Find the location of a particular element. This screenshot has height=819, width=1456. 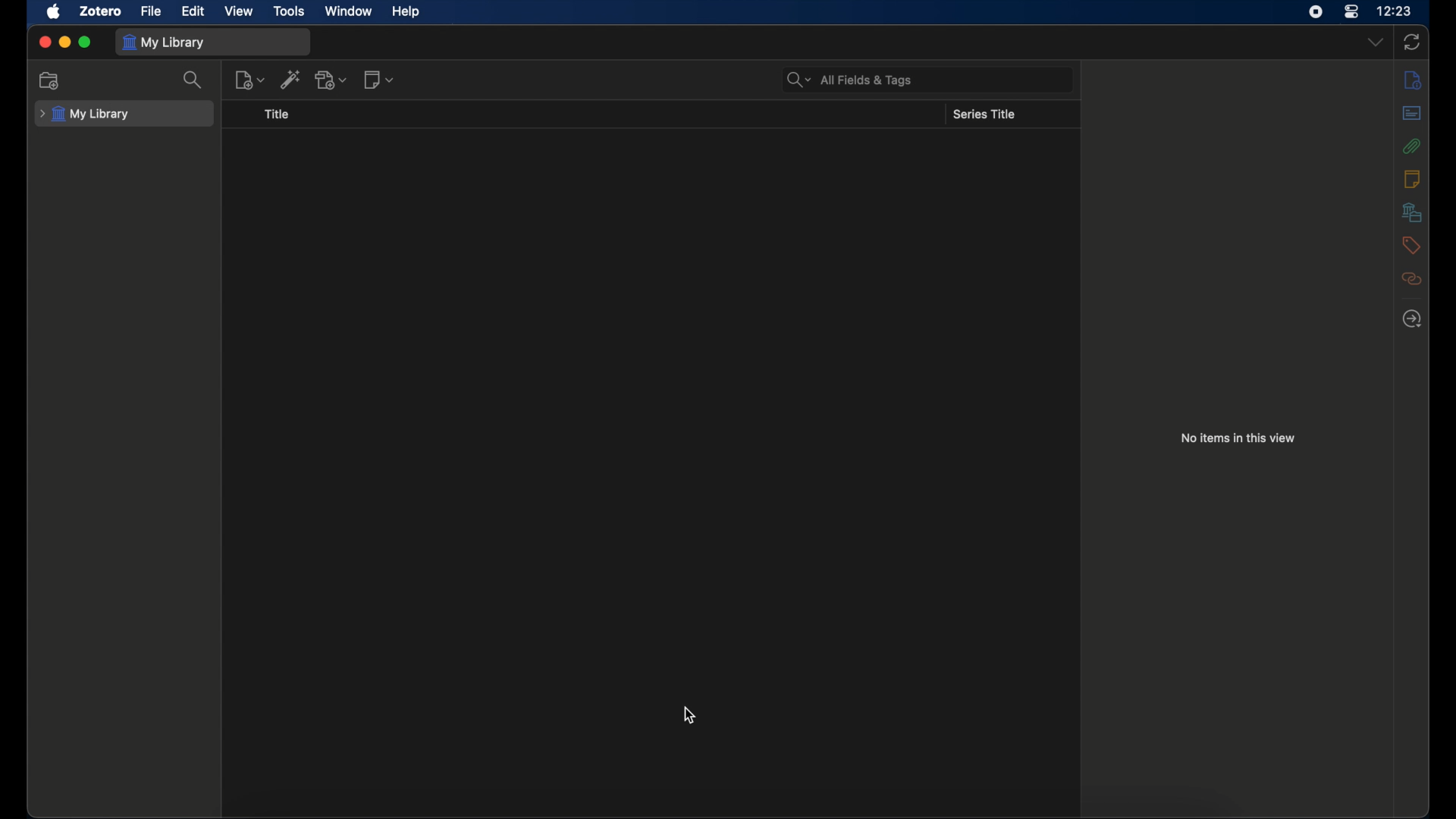

add attachments is located at coordinates (332, 80).